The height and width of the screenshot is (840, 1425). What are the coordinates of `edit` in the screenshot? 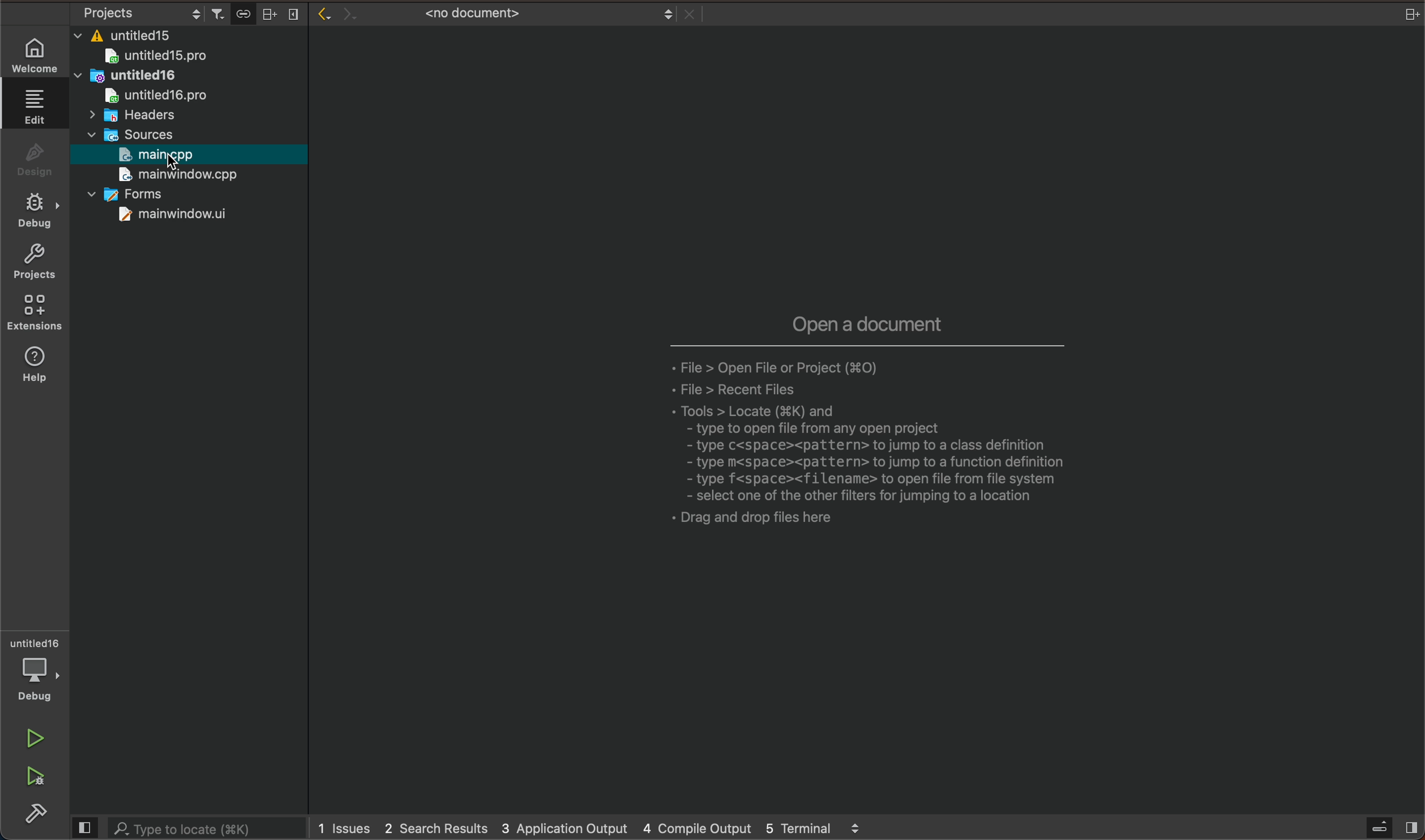 It's located at (32, 106).